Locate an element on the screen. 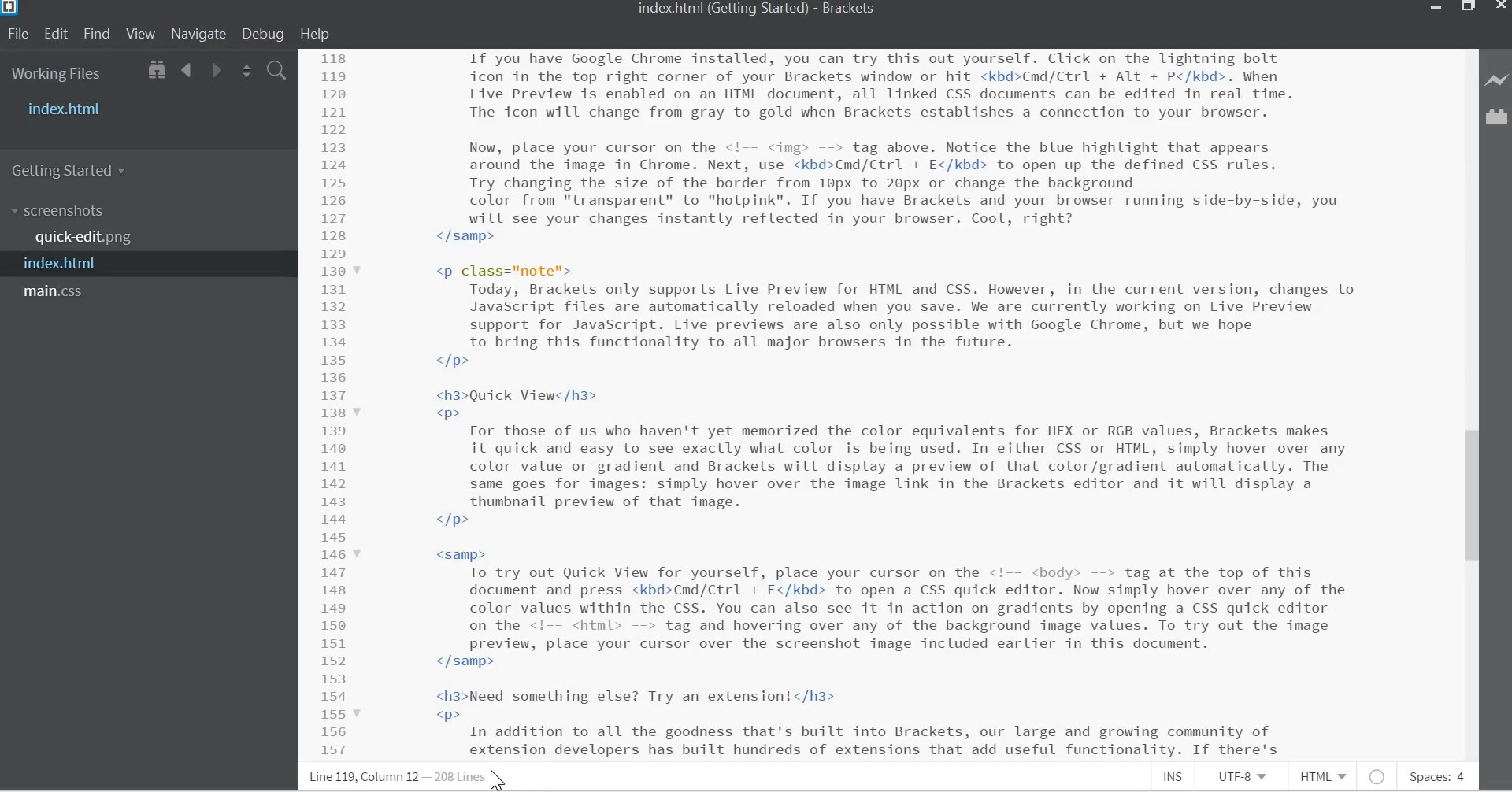 The height and width of the screenshot is (792, 1512). Go Back is located at coordinates (186, 69).